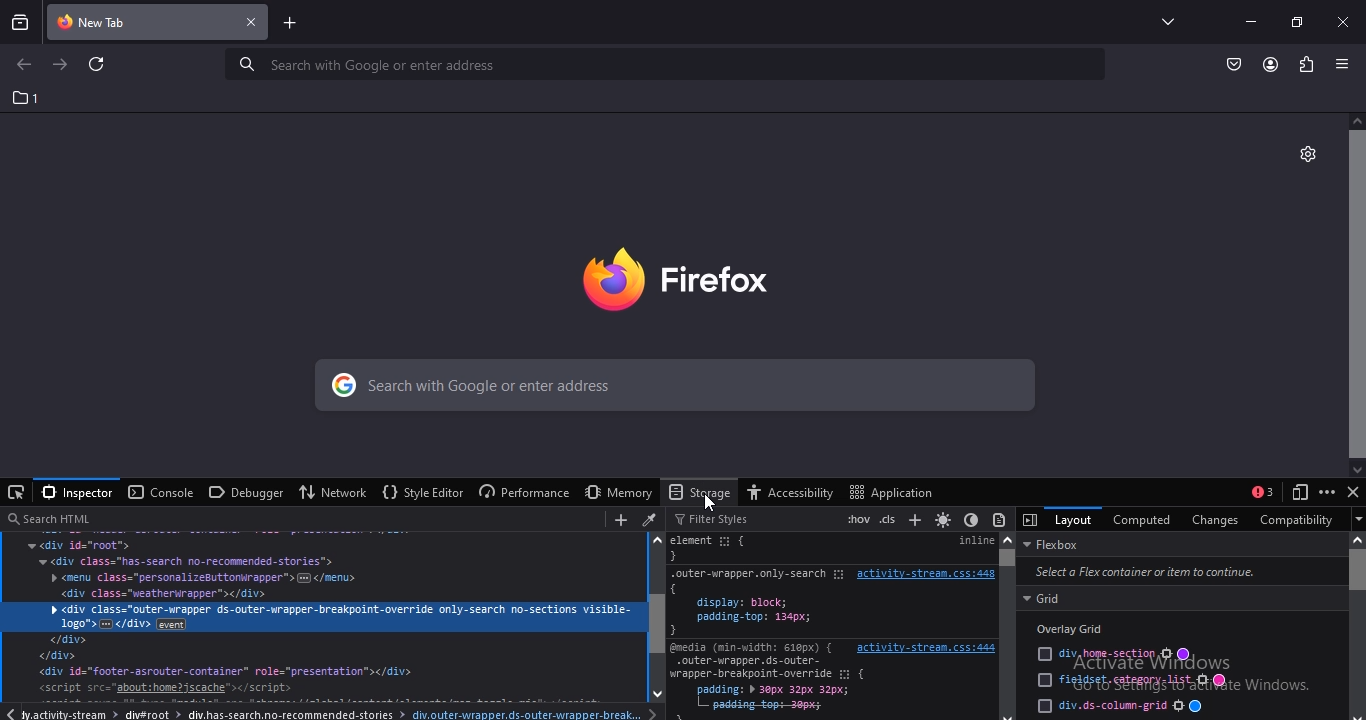 The image size is (1366, 720). I want to click on computed, so click(1141, 517).